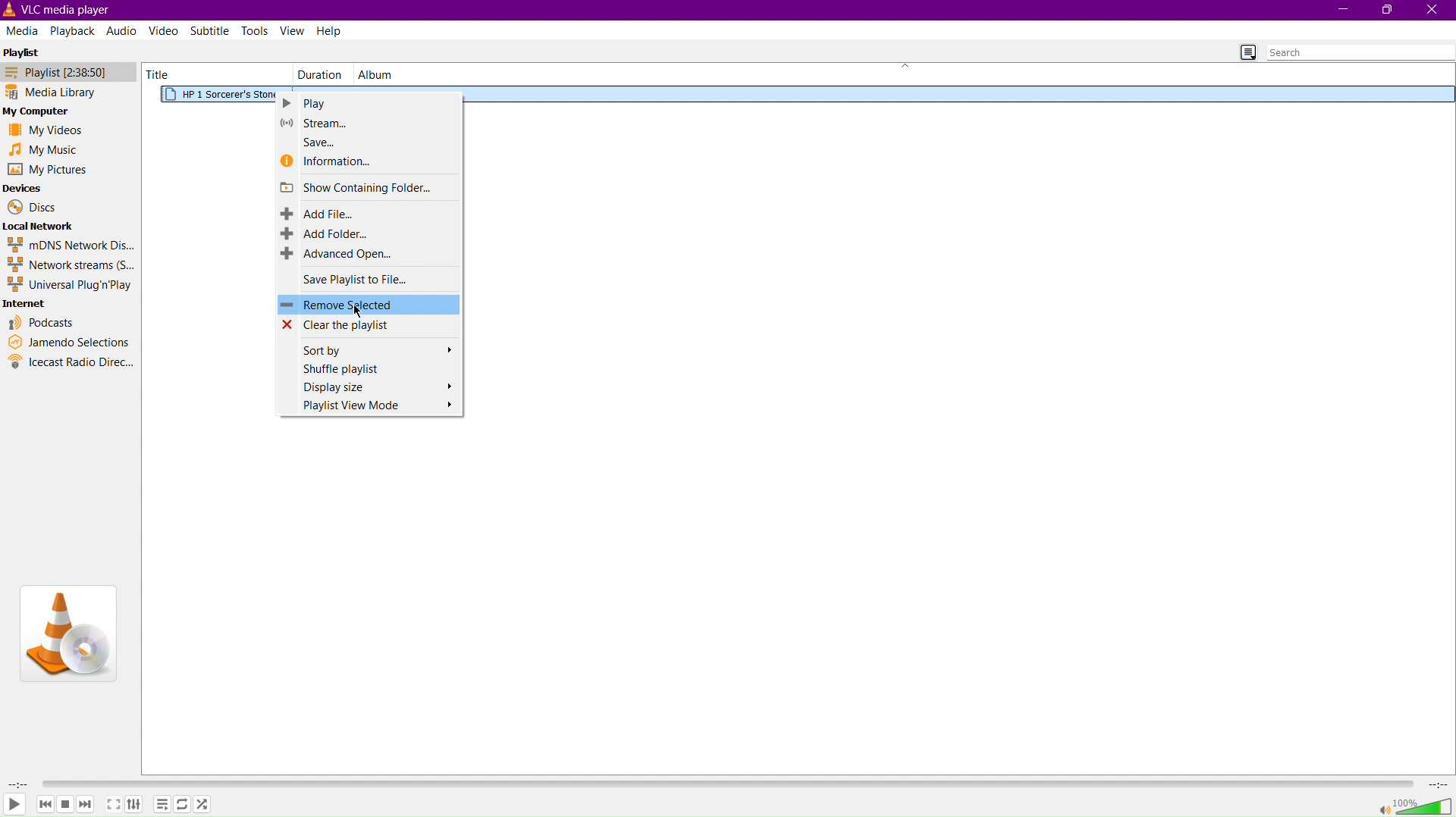 The width and height of the screenshot is (1456, 817). Describe the element at coordinates (27, 304) in the screenshot. I see `Internet ` at that location.